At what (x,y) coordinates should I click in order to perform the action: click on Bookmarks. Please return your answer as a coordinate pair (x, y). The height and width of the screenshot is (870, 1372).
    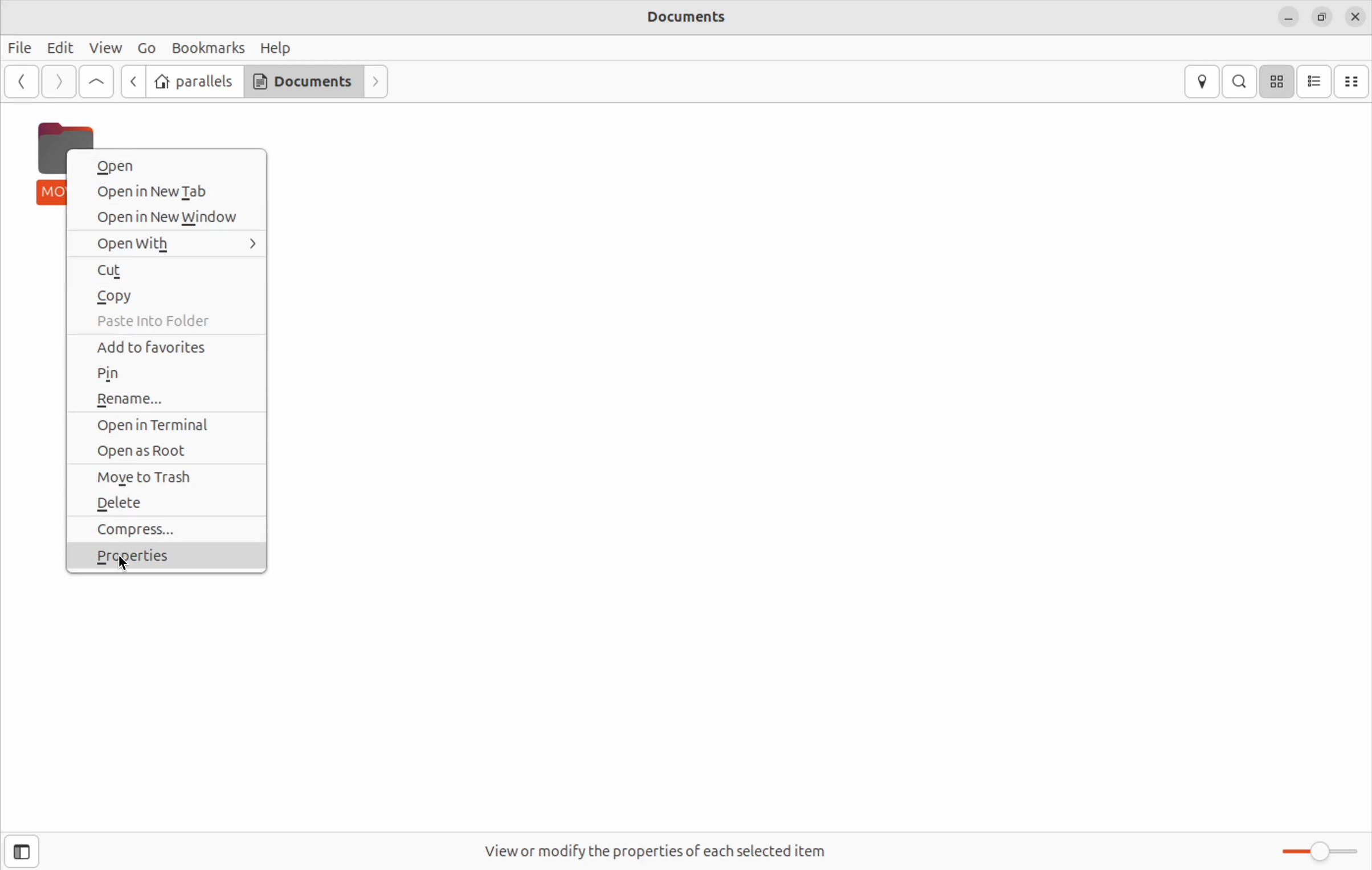
    Looking at the image, I should click on (206, 47).